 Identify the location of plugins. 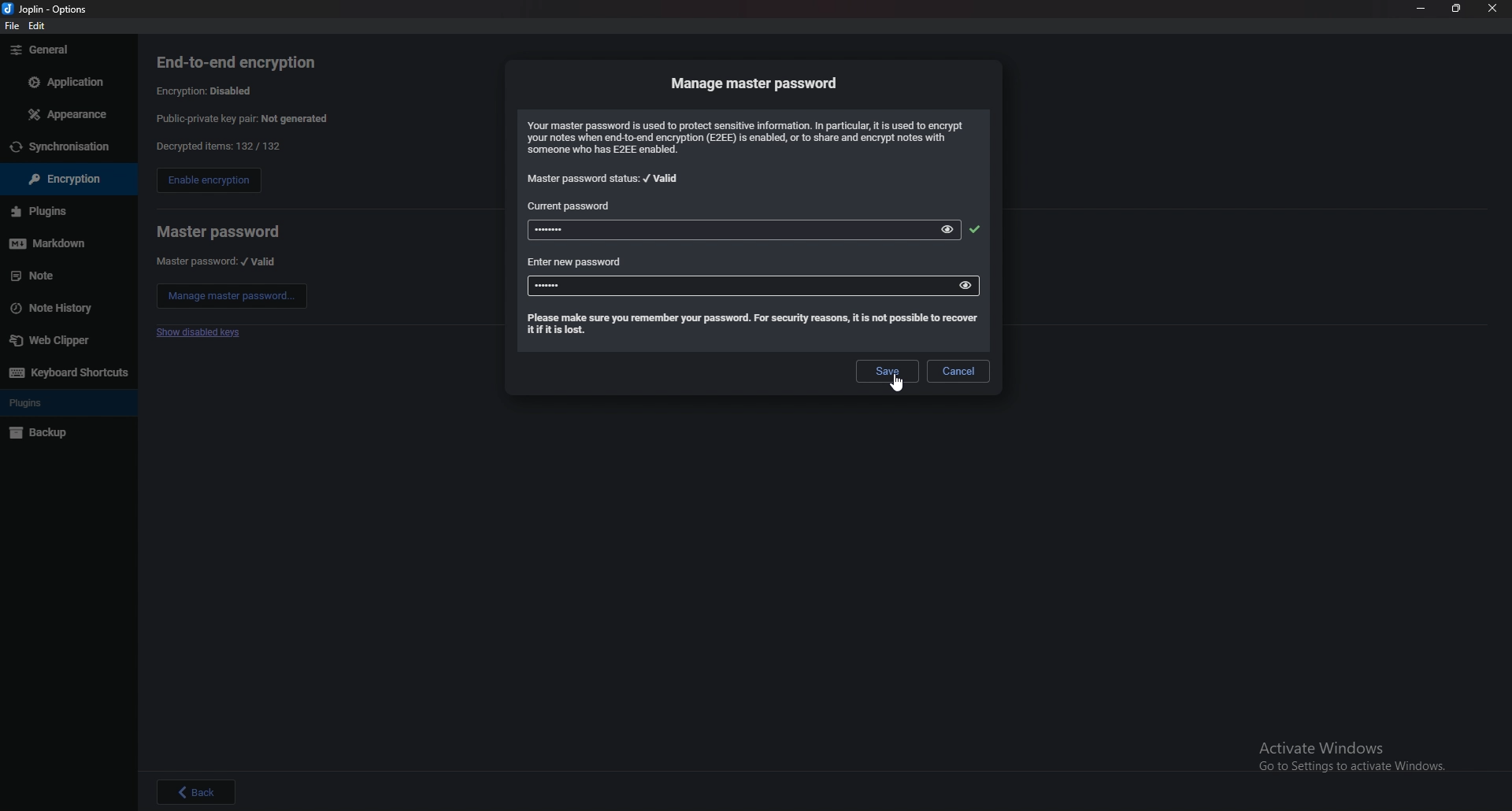
(61, 211).